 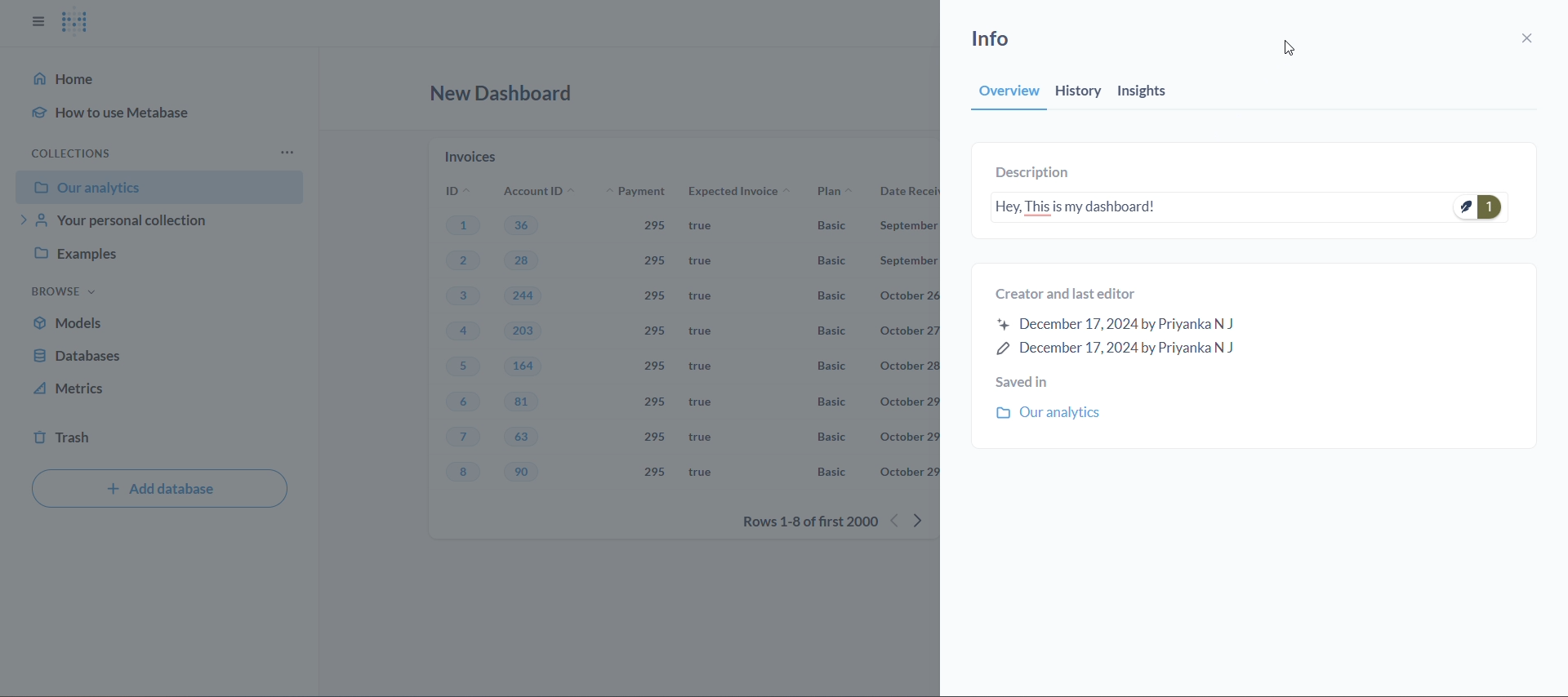 I want to click on 1, so click(x=462, y=224).